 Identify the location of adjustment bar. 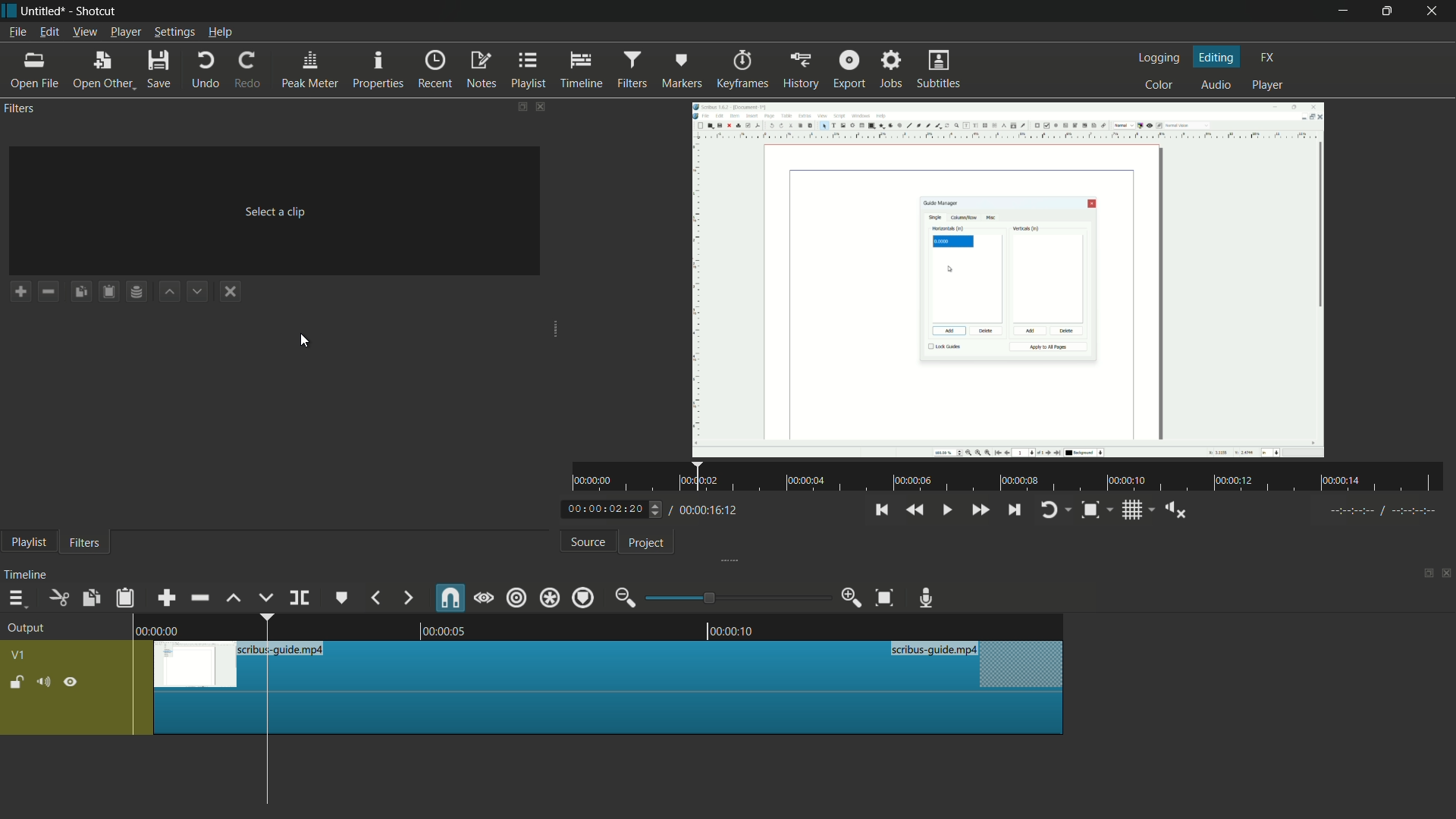
(737, 598).